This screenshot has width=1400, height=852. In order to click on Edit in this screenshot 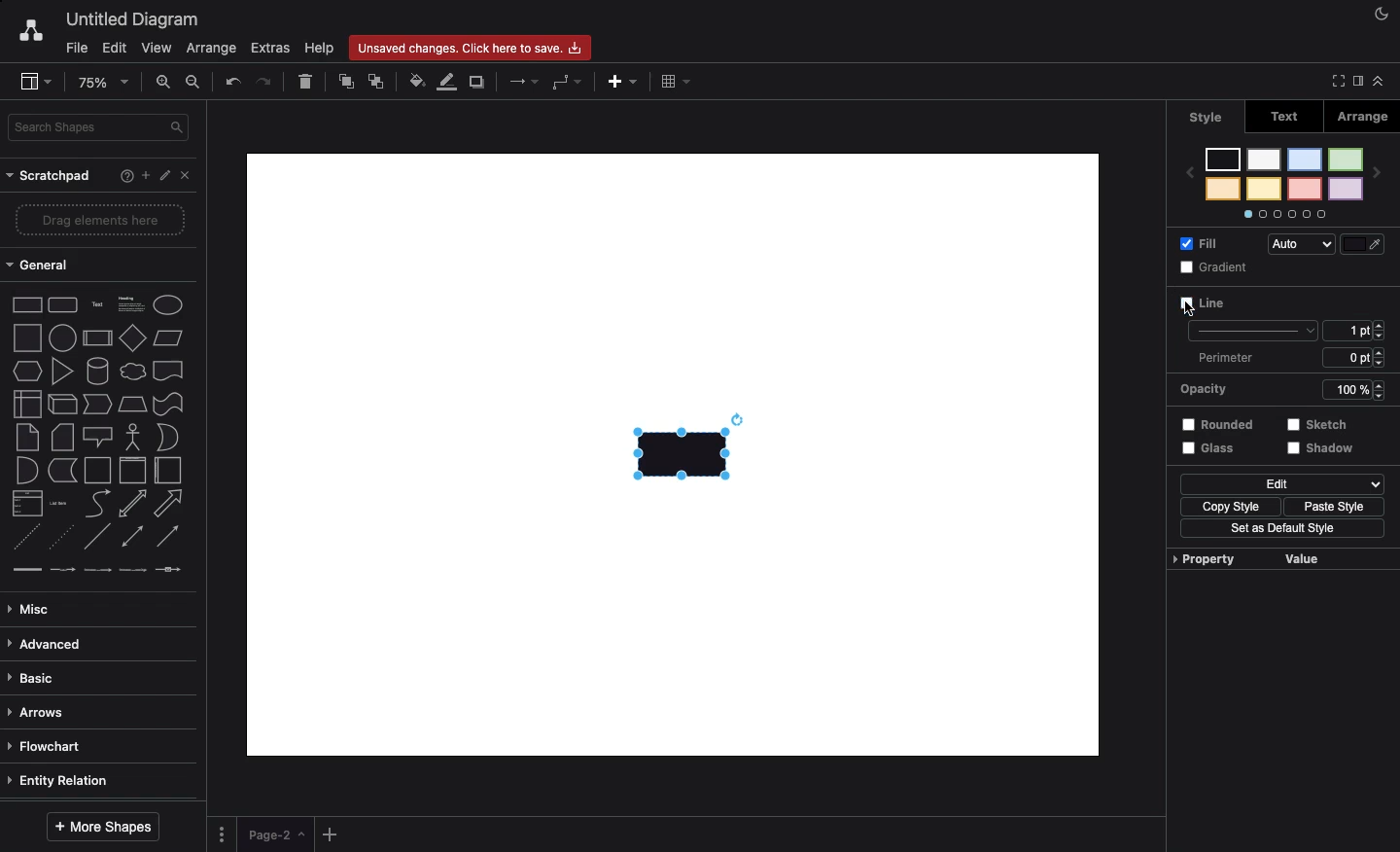, I will do `click(113, 49)`.